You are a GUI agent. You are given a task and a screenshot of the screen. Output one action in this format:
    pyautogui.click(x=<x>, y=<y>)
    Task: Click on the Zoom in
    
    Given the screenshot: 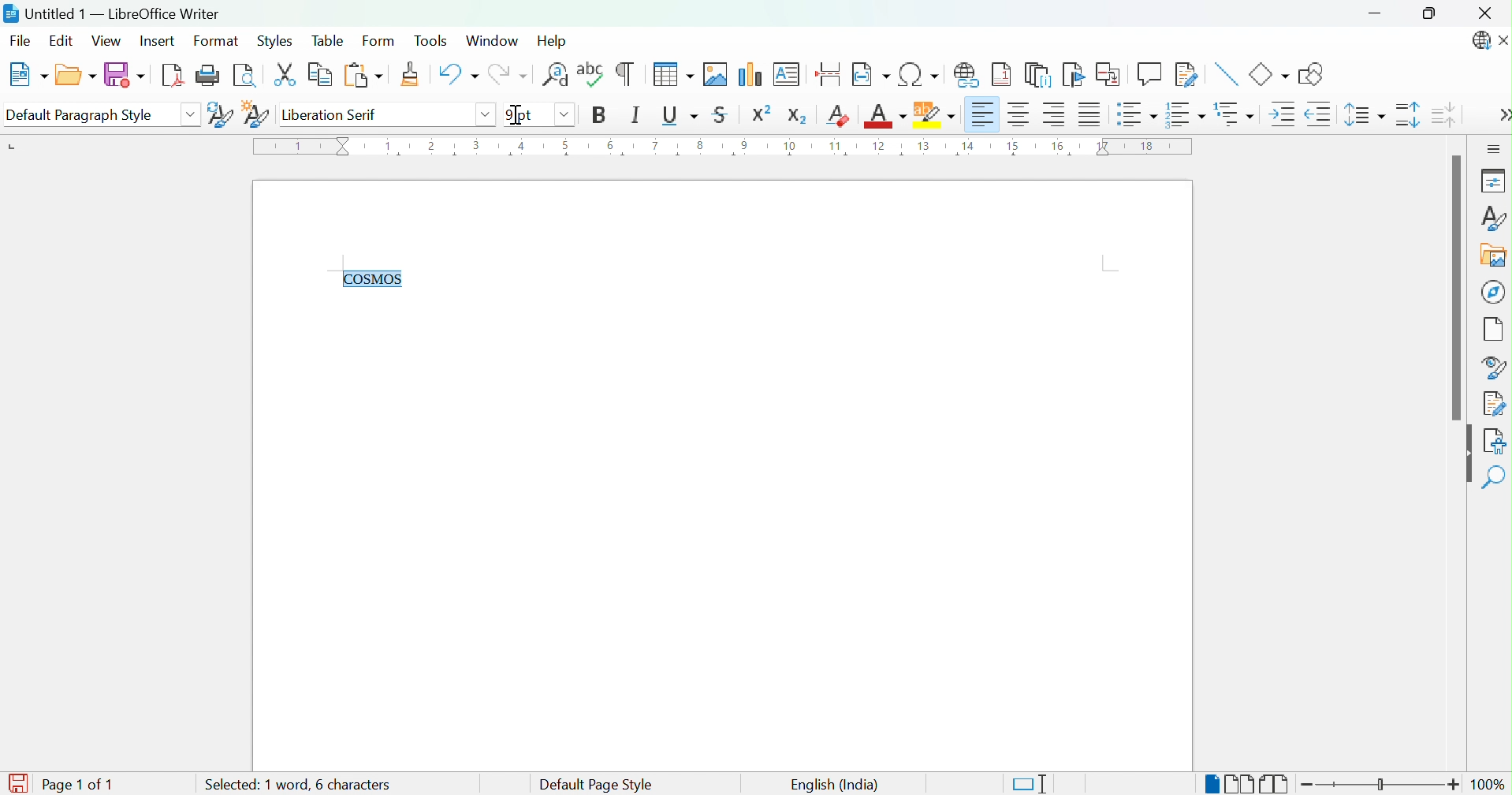 What is the action you would take?
    pyautogui.click(x=1454, y=784)
    